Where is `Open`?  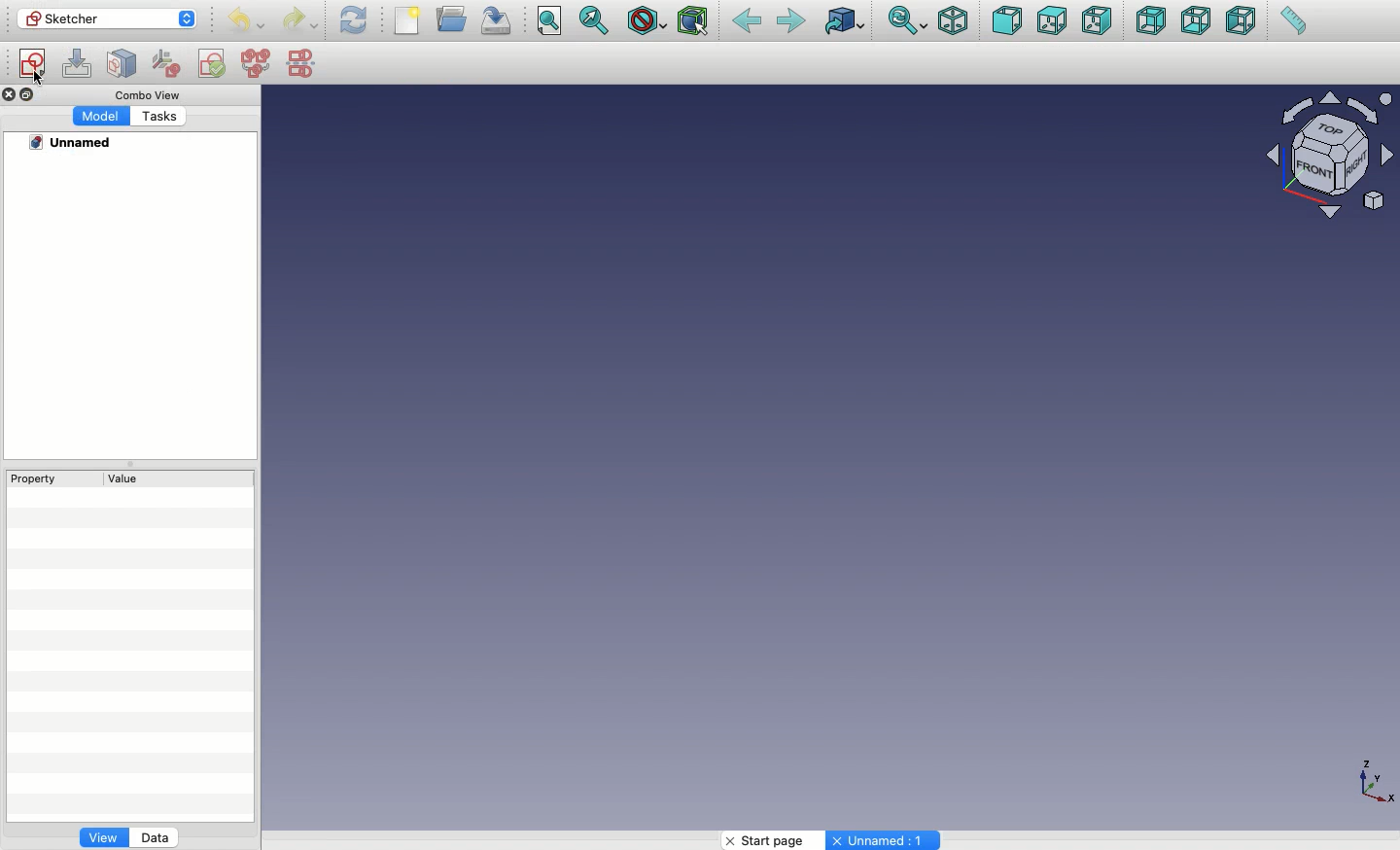
Open is located at coordinates (454, 18).